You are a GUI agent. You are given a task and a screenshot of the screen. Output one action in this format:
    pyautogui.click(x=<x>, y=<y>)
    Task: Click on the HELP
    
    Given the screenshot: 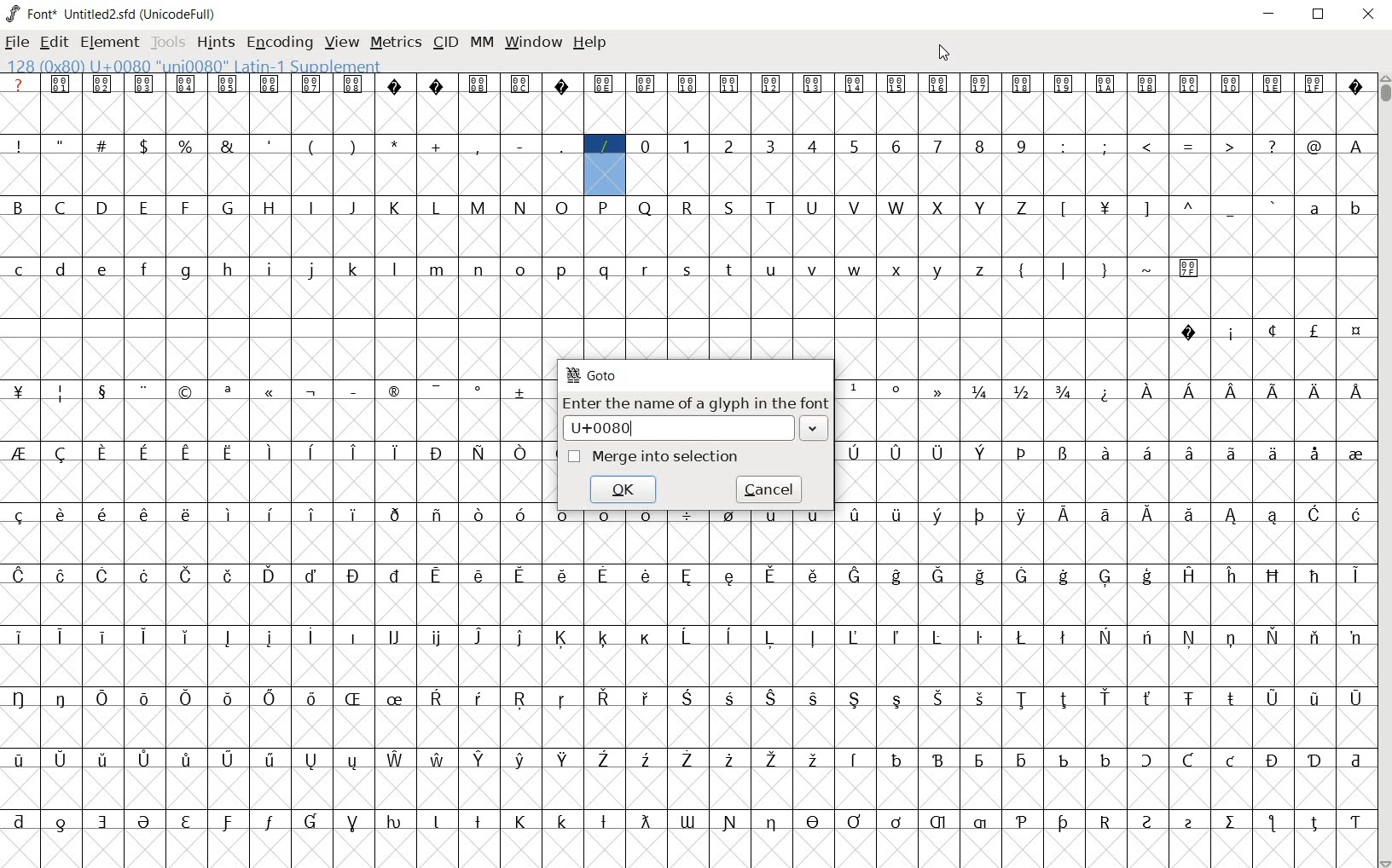 What is the action you would take?
    pyautogui.click(x=591, y=44)
    